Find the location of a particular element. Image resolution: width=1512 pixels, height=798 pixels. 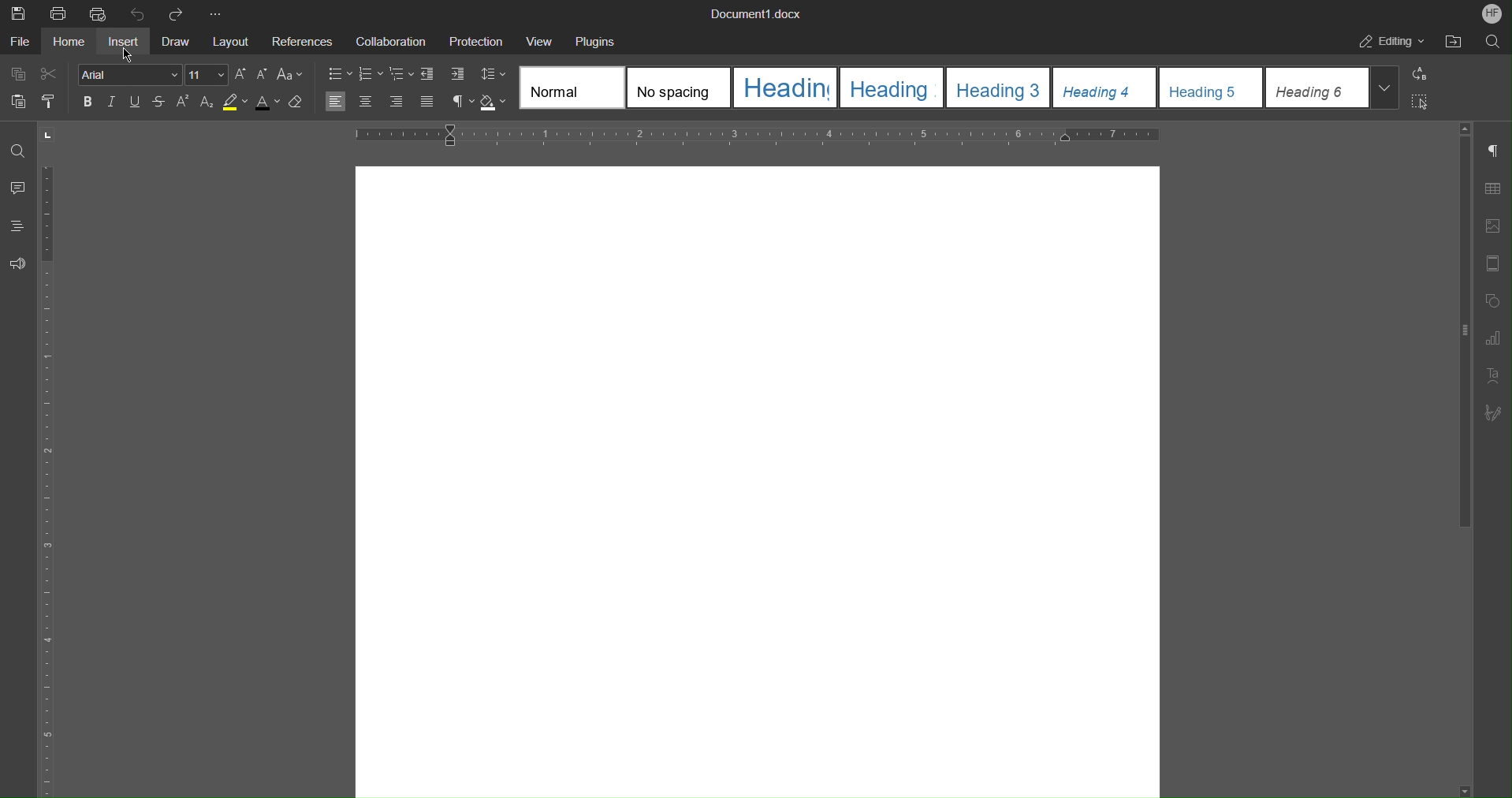

Home is located at coordinates (73, 42).